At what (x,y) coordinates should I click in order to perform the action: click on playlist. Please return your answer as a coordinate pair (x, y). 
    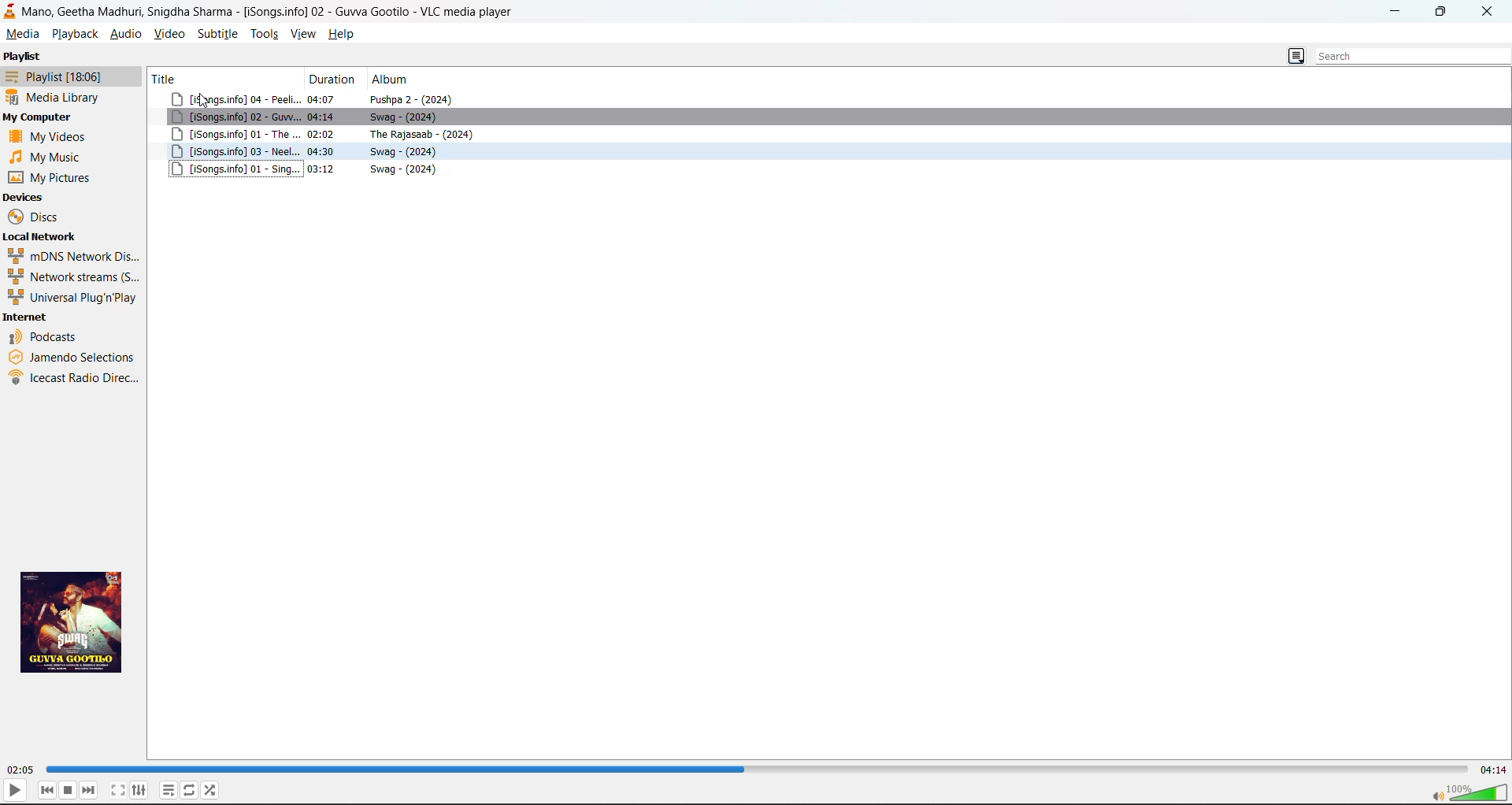
    Looking at the image, I should click on (23, 56).